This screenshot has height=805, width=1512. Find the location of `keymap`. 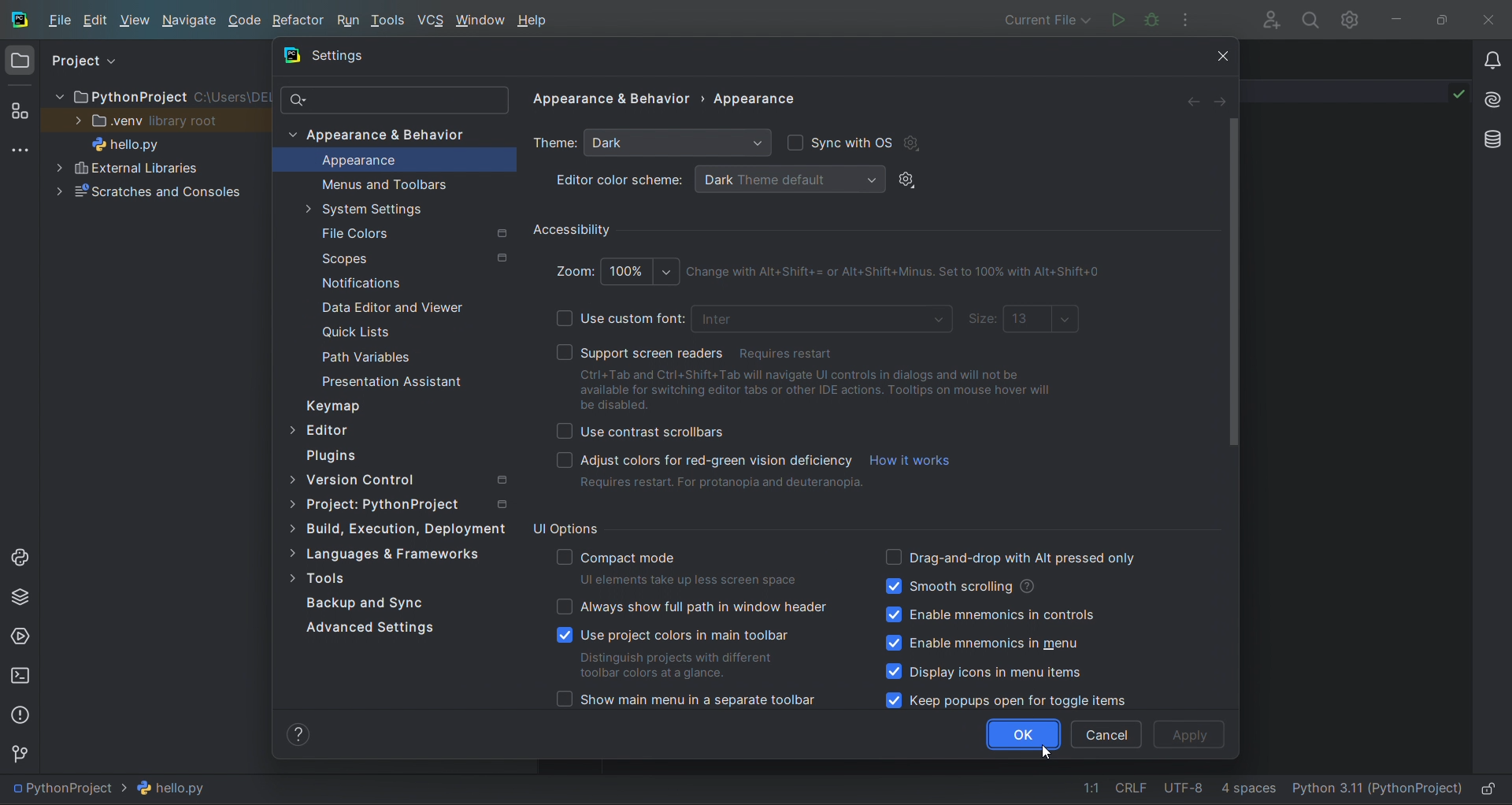

keymap is located at coordinates (398, 406).